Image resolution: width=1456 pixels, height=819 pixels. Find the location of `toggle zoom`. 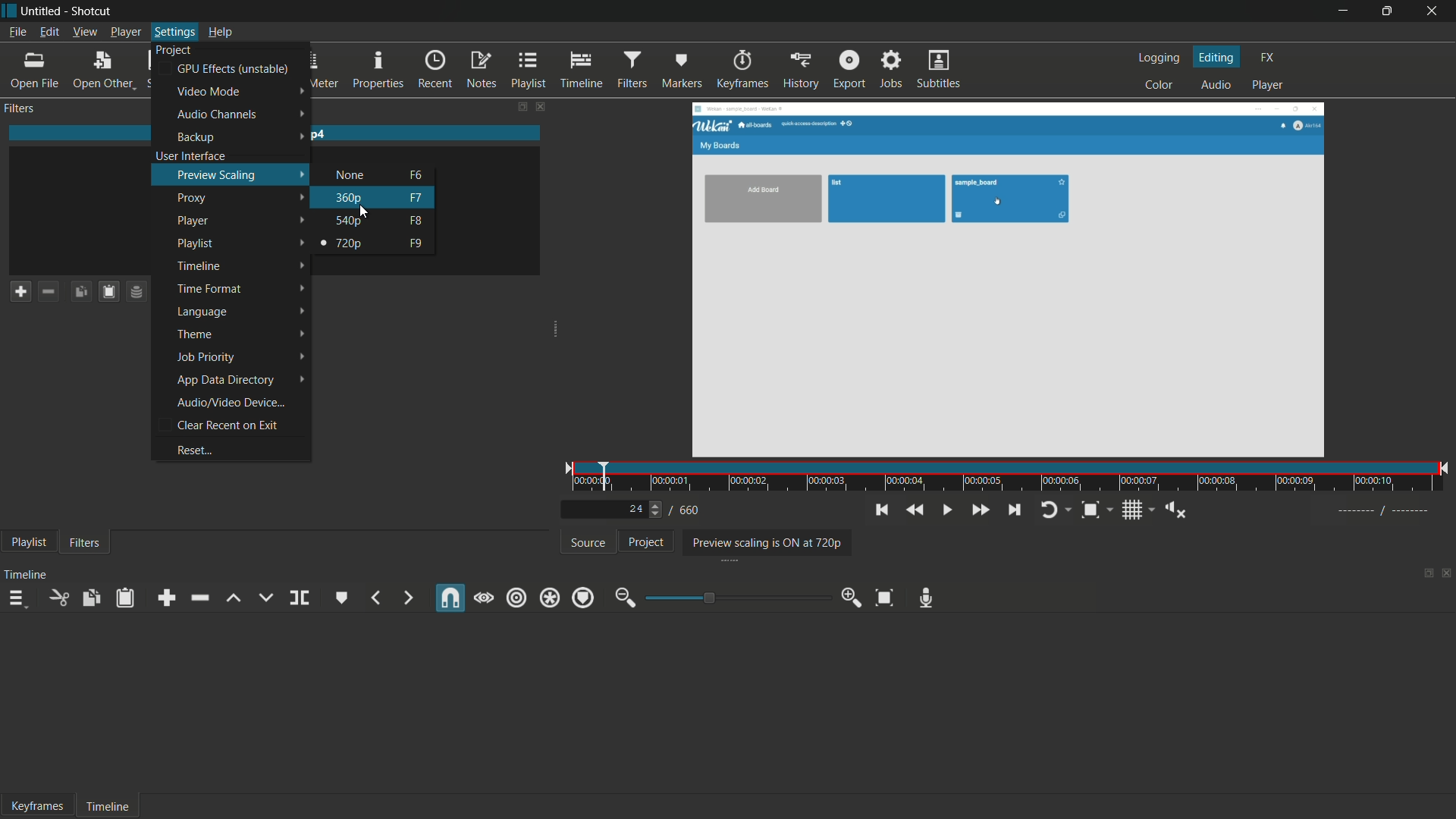

toggle zoom is located at coordinates (1090, 510).